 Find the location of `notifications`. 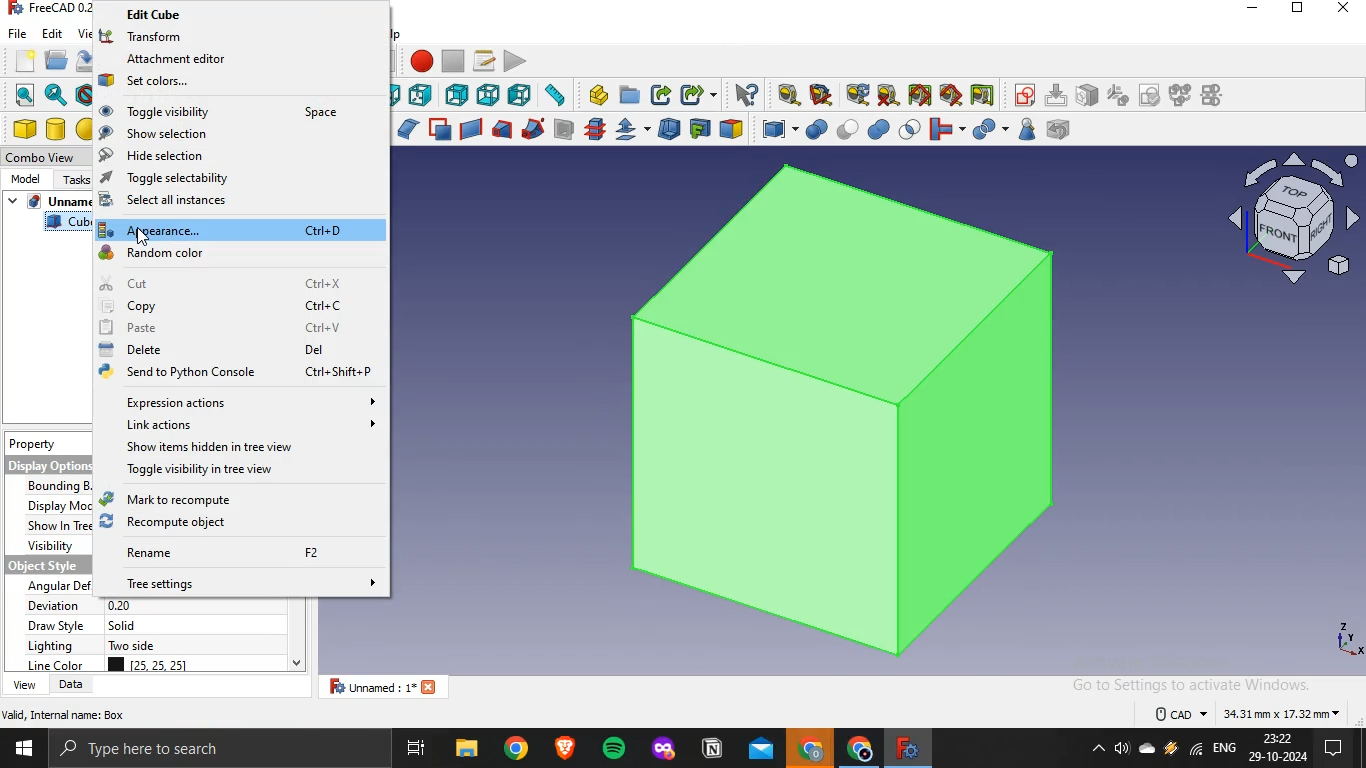

notifications is located at coordinates (1330, 750).